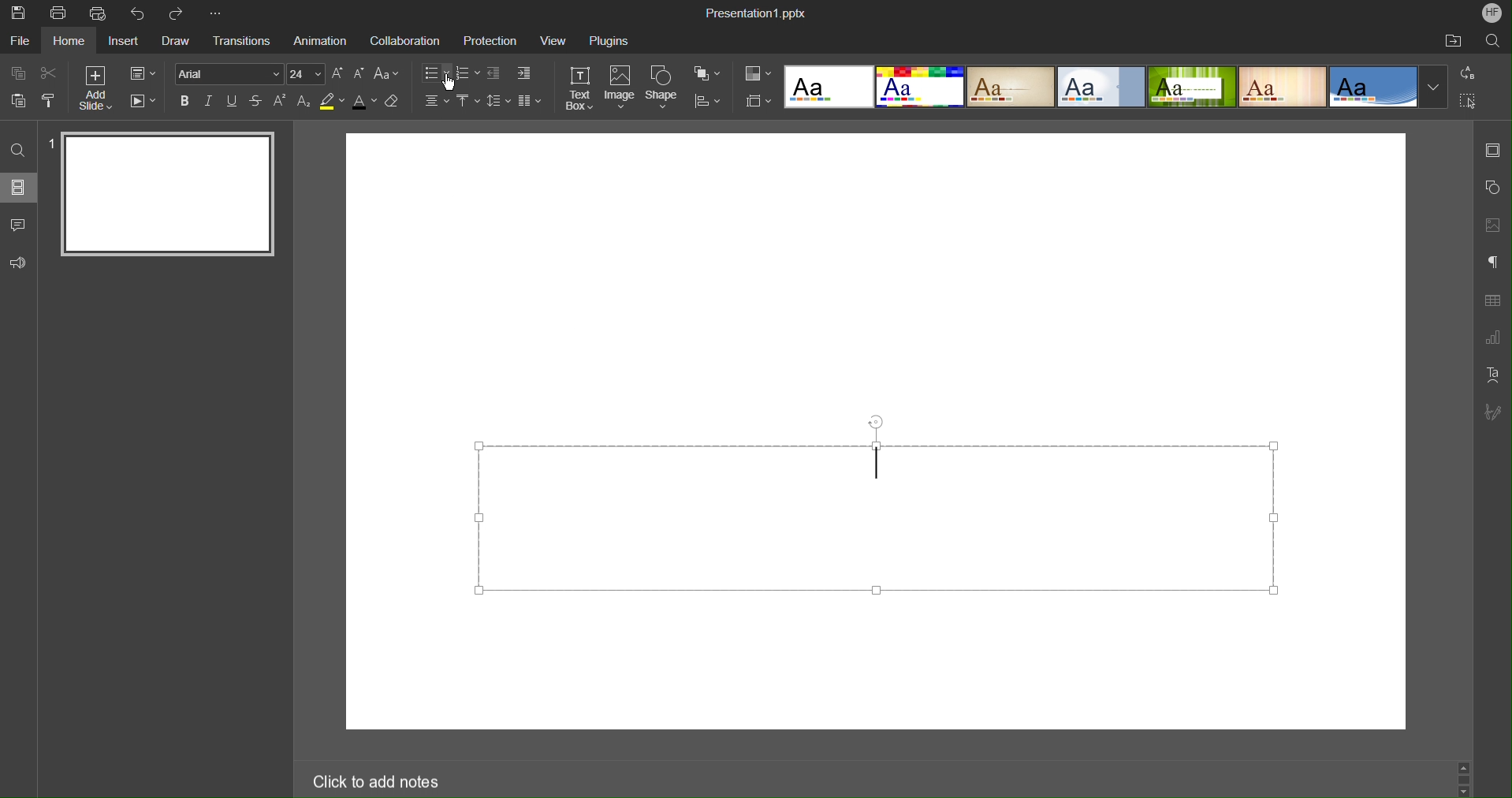  What do you see at coordinates (1492, 151) in the screenshot?
I see `Slide Settings` at bounding box center [1492, 151].